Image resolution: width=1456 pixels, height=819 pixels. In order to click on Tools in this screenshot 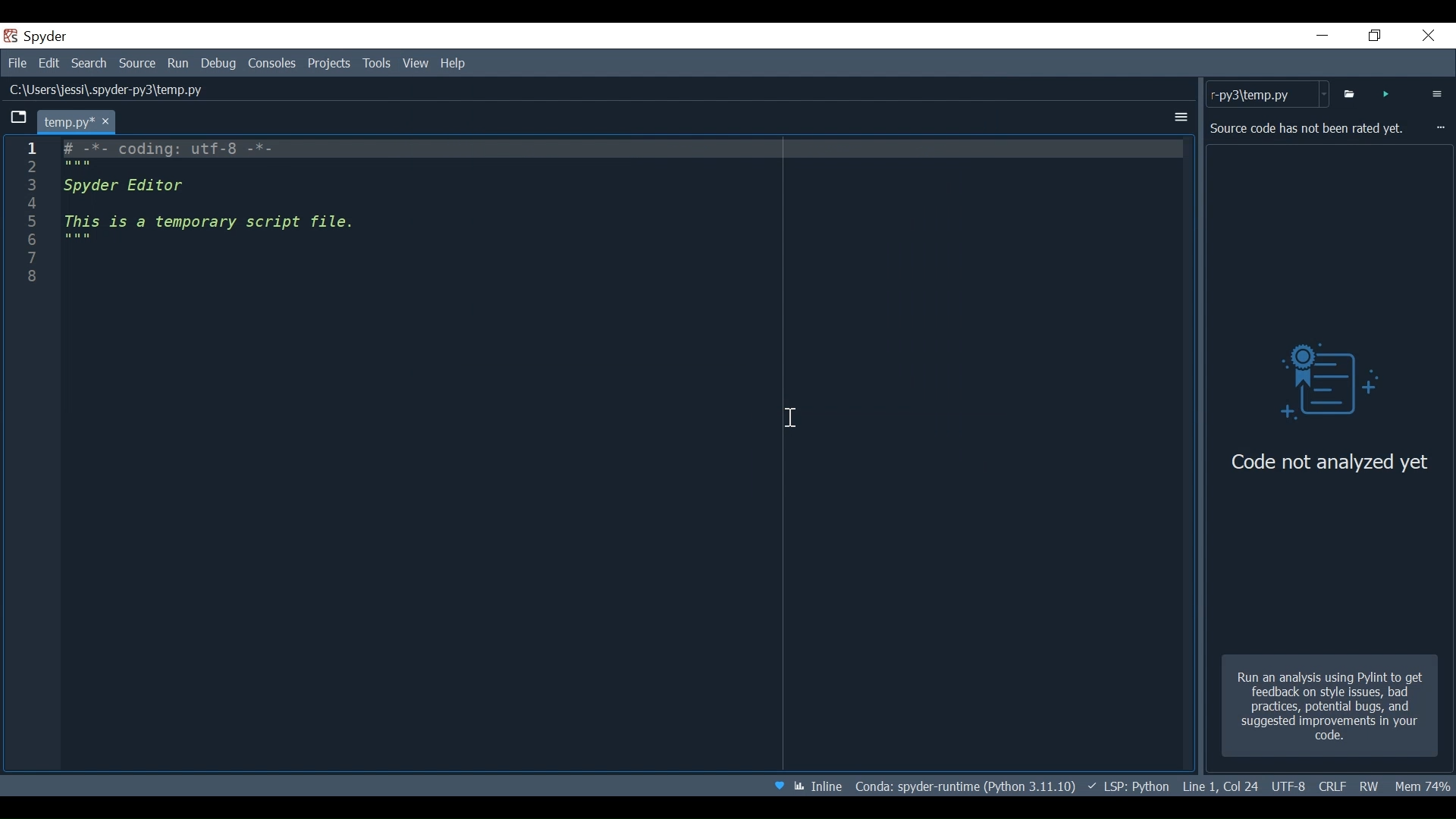, I will do `click(377, 64)`.